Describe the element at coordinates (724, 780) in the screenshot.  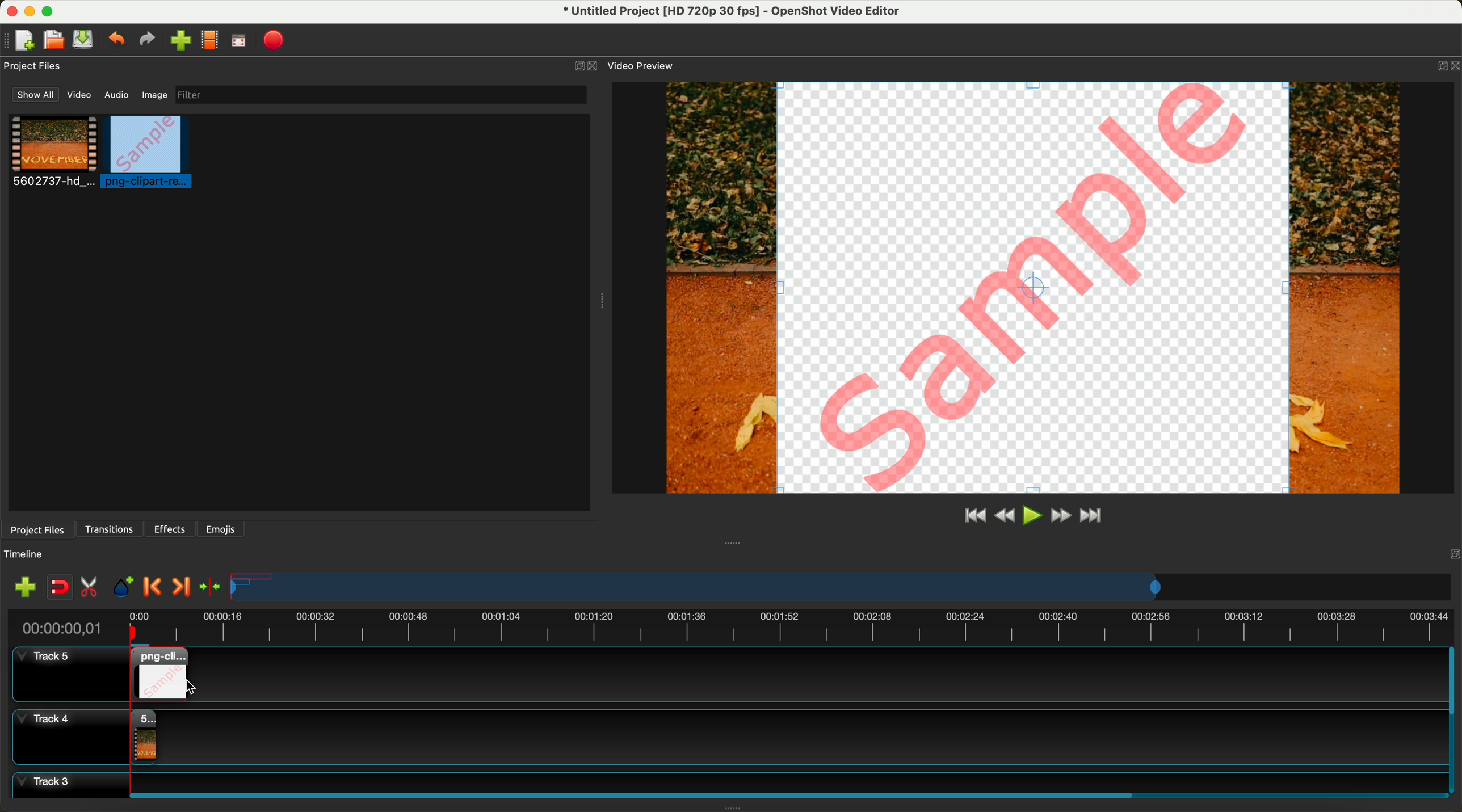
I see `track 3` at that location.